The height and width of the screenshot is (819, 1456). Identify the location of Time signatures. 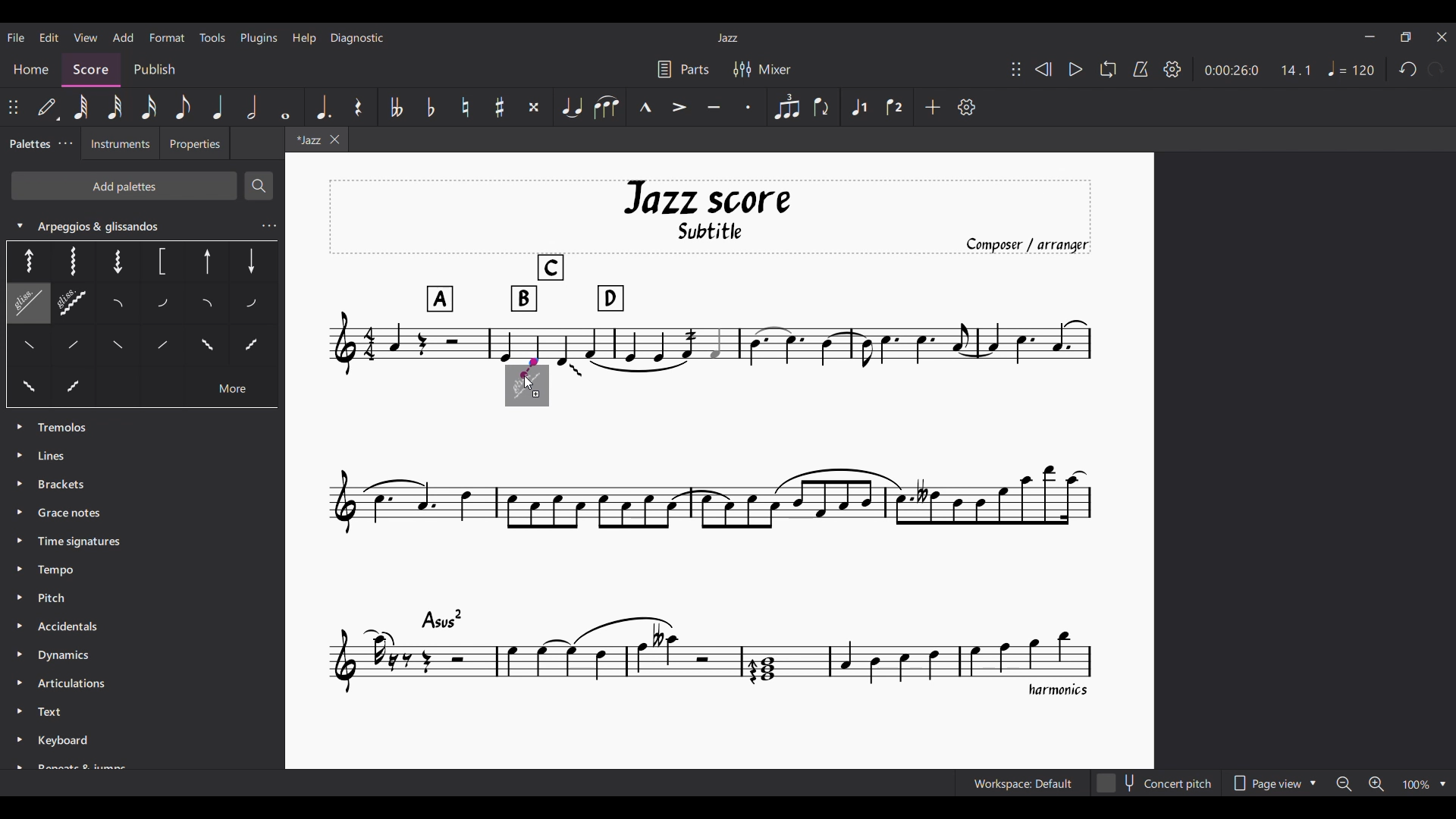
(79, 539).